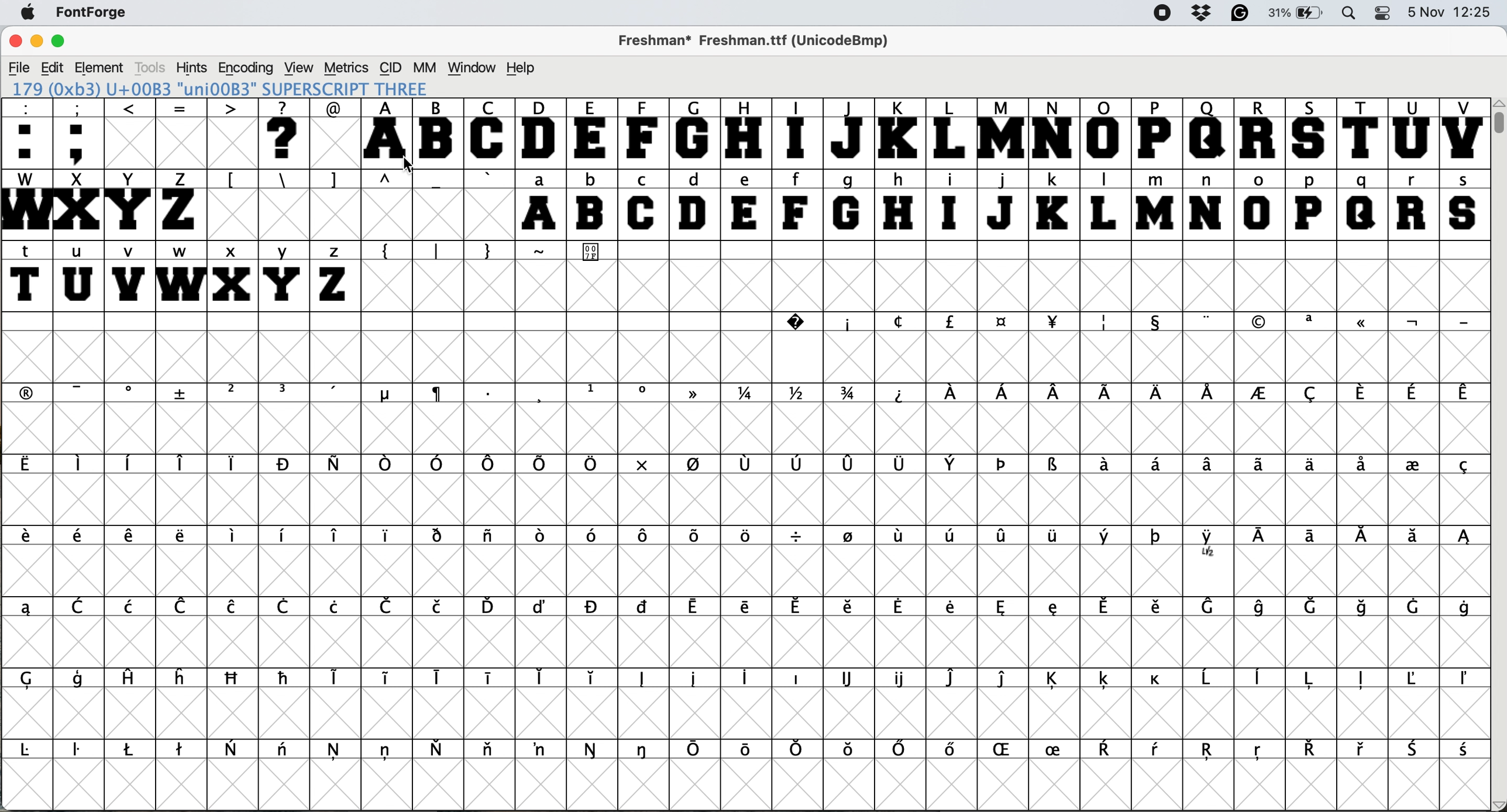 This screenshot has height=812, width=1507. Describe the element at coordinates (1159, 13) in the screenshot. I see `screen recorder` at that location.